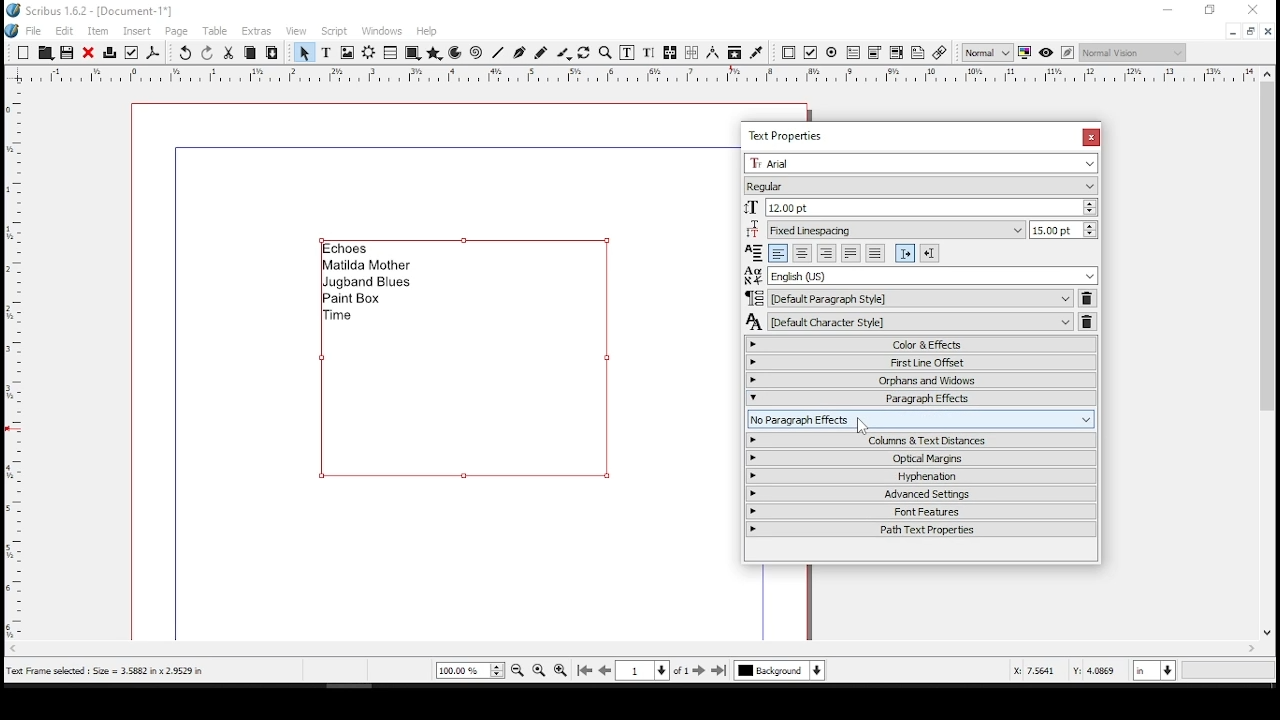 The image size is (1280, 720). Describe the element at coordinates (826, 253) in the screenshot. I see `align text right` at that location.